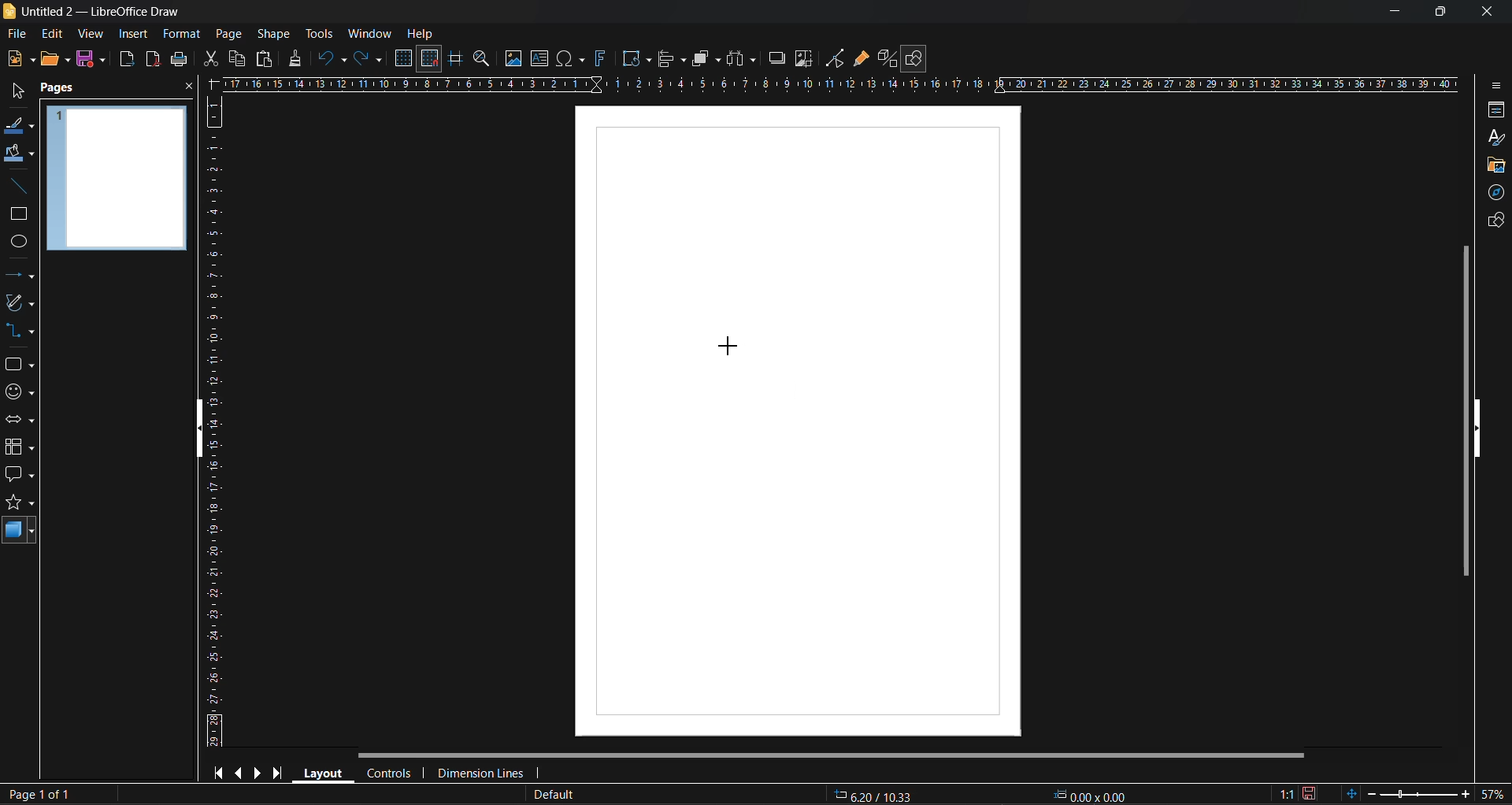  I want to click on print, so click(179, 61).